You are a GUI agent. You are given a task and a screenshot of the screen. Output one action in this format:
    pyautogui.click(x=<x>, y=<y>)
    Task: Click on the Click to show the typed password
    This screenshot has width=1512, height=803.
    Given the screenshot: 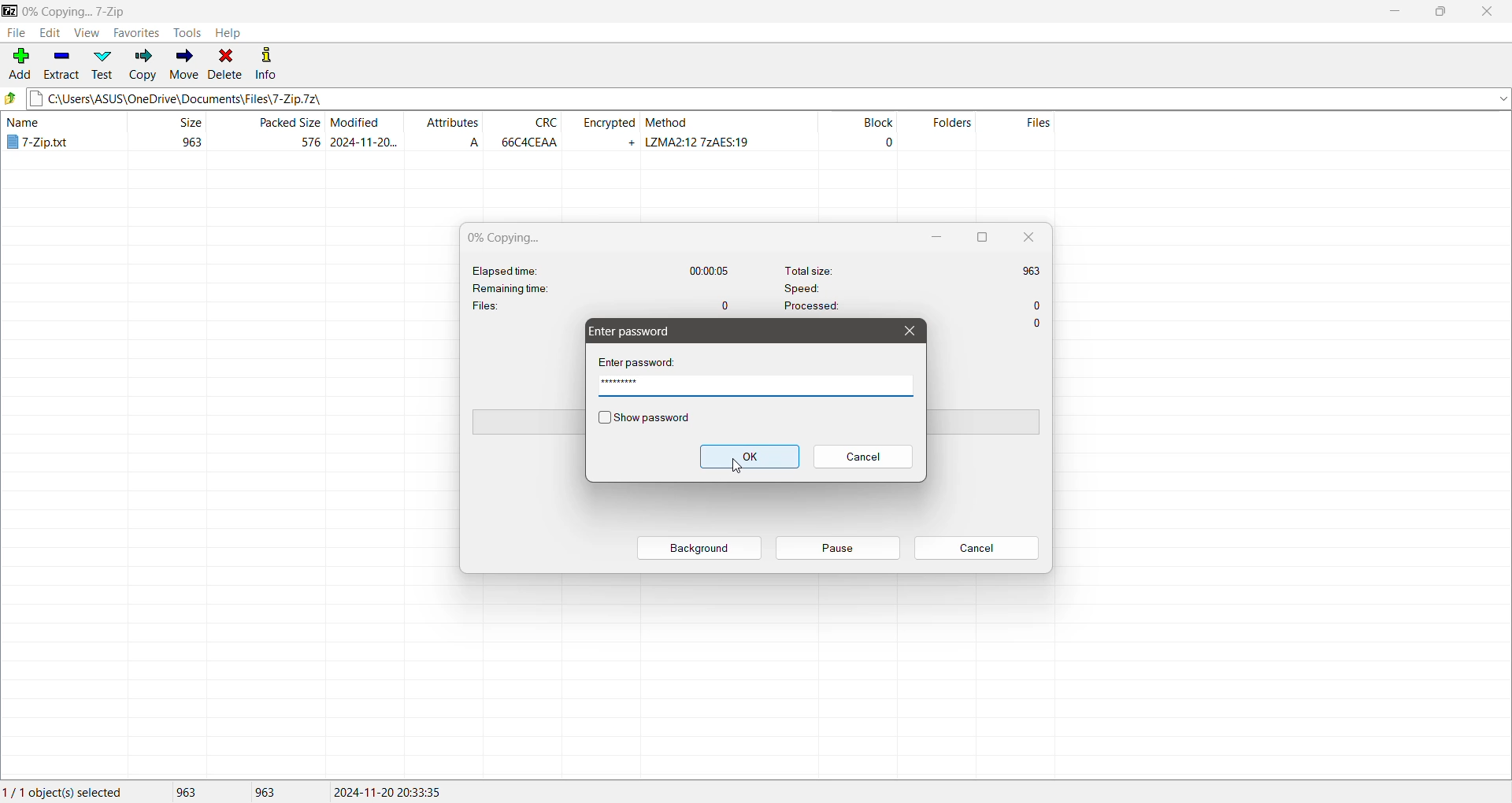 What is the action you would take?
    pyautogui.click(x=644, y=419)
    